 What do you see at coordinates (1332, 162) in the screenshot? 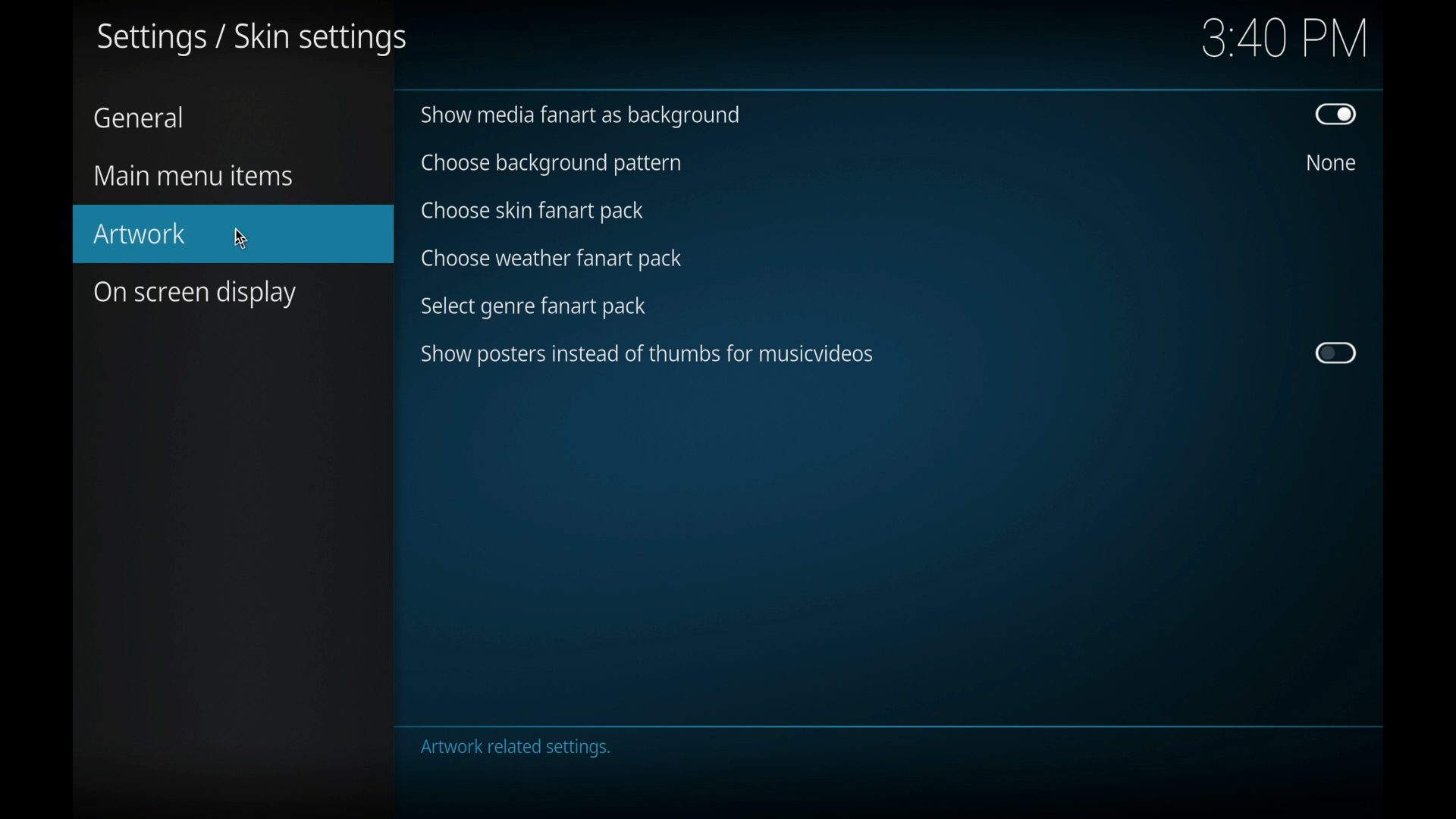
I see `none` at bounding box center [1332, 162].